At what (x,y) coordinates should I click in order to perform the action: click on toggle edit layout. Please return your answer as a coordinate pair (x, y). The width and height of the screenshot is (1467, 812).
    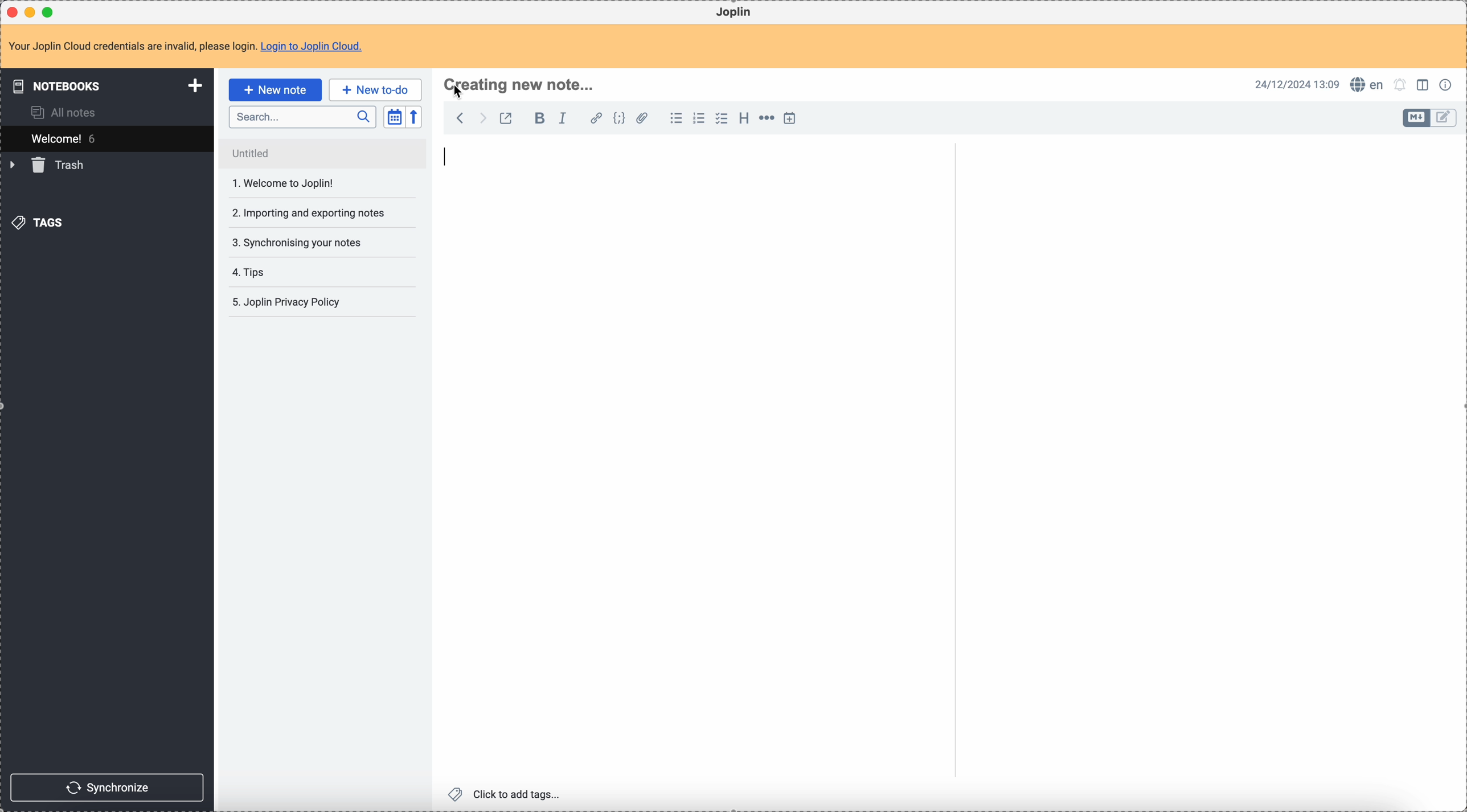
    Looking at the image, I should click on (1424, 84).